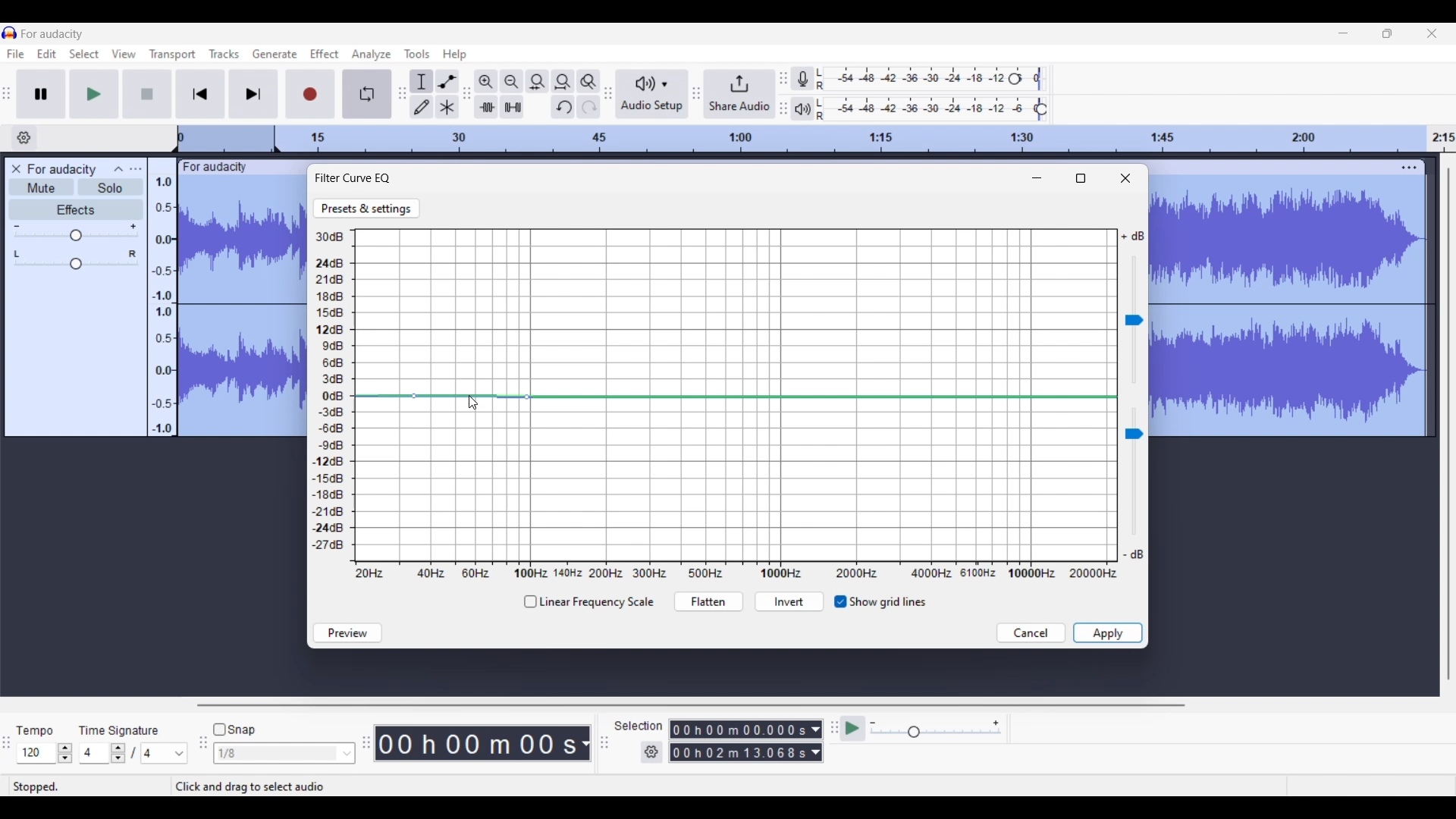  I want to click on Pan left, so click(17, 254).